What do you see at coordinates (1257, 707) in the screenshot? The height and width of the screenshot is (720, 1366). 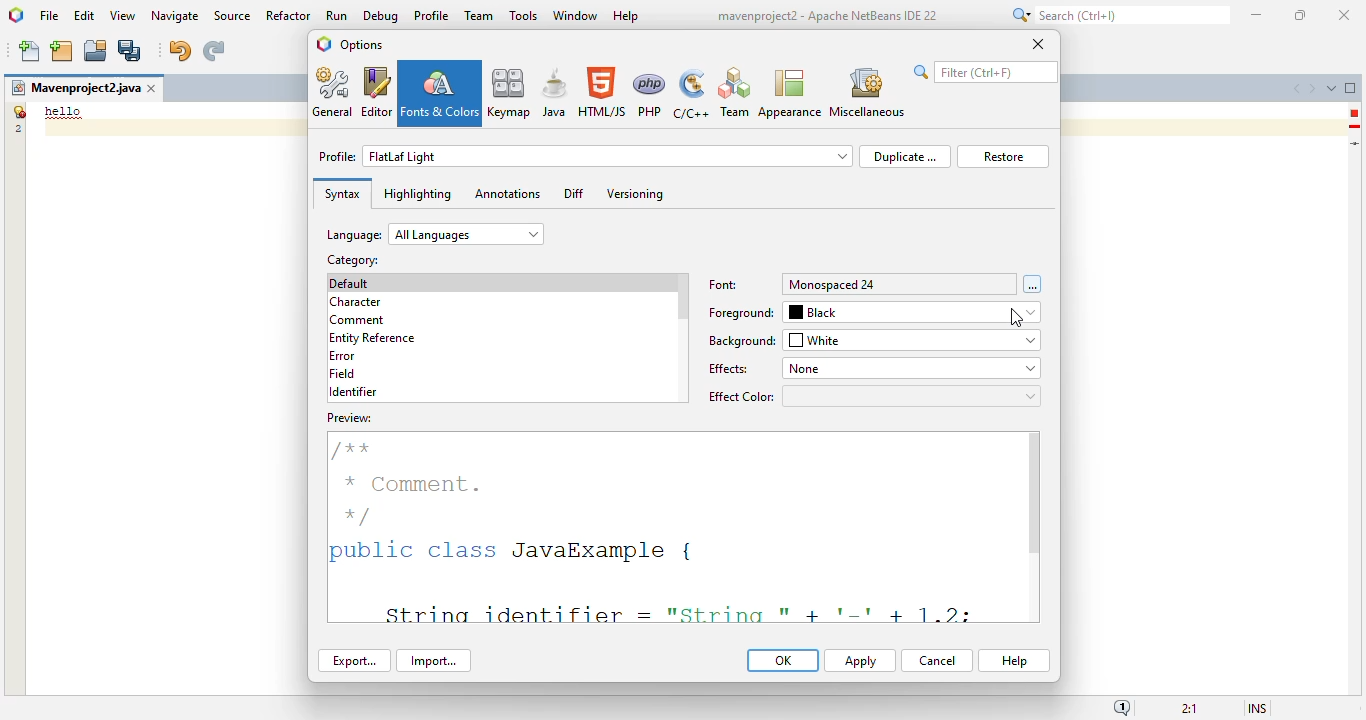 I see `insert mode` at bounding box center [1257, 707].